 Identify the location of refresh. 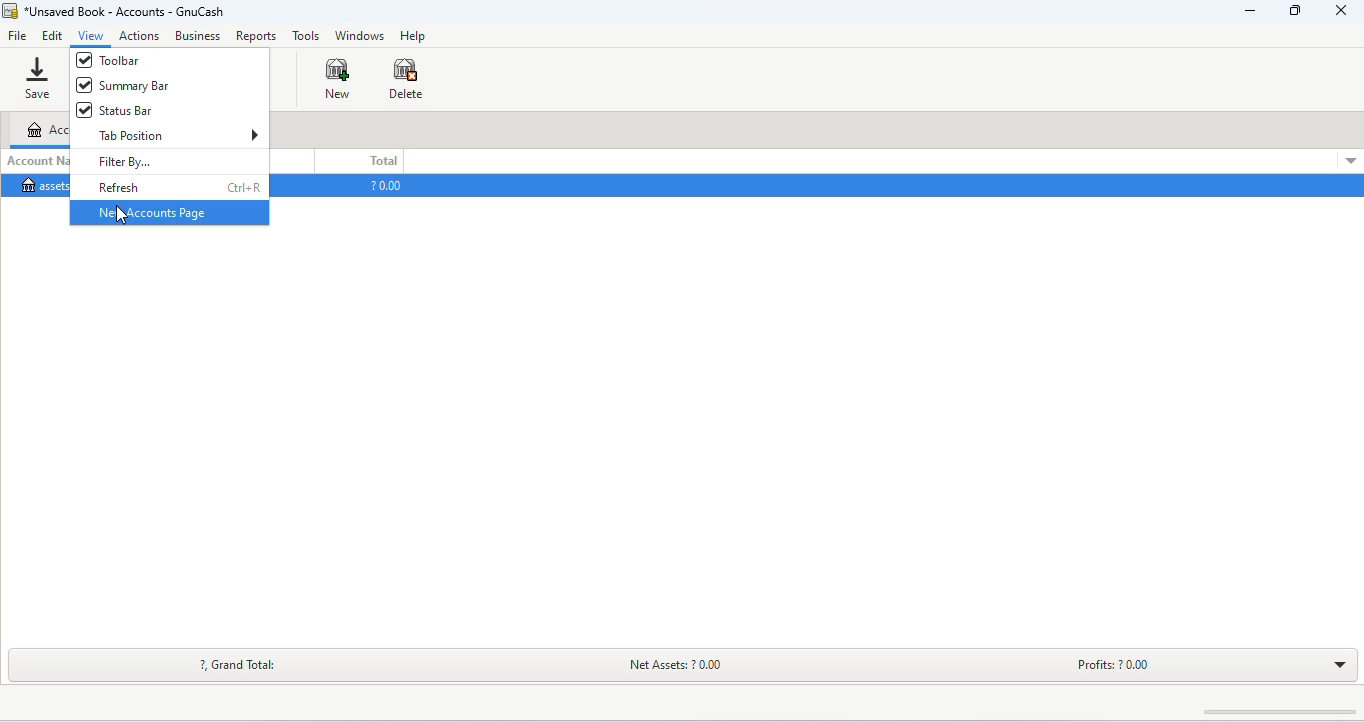
(178, 187).